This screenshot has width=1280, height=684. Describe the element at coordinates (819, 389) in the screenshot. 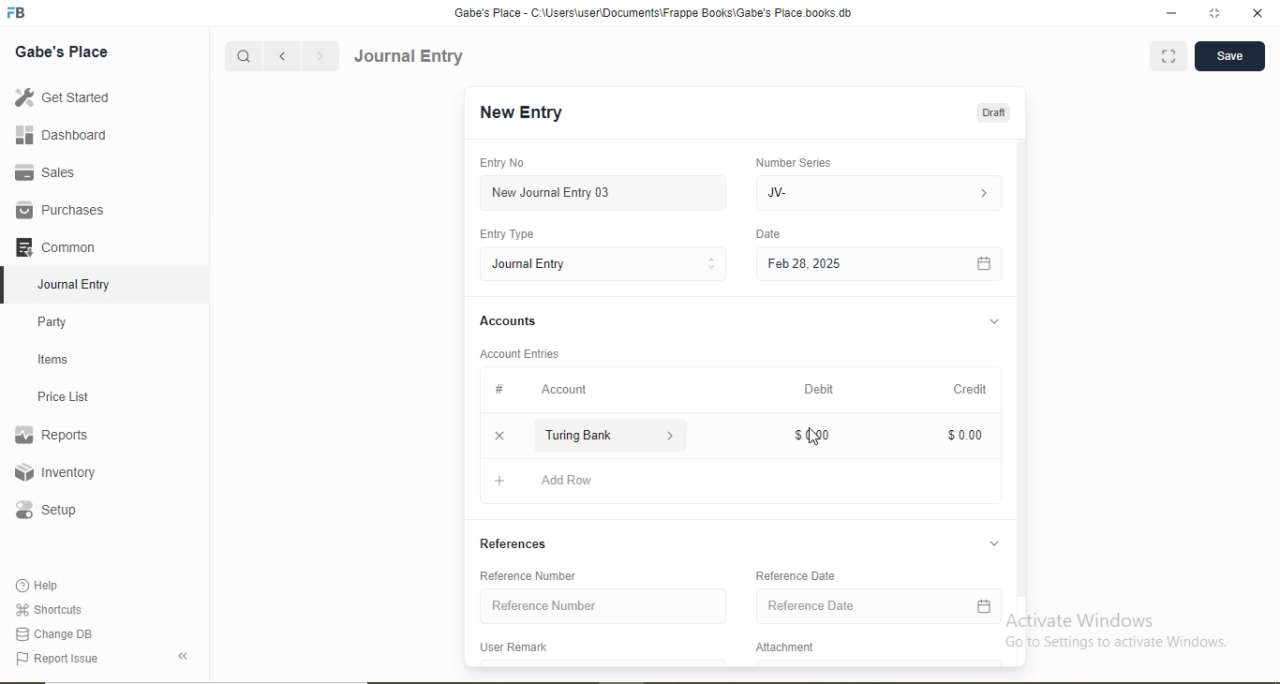

I see `Debit` at that location.